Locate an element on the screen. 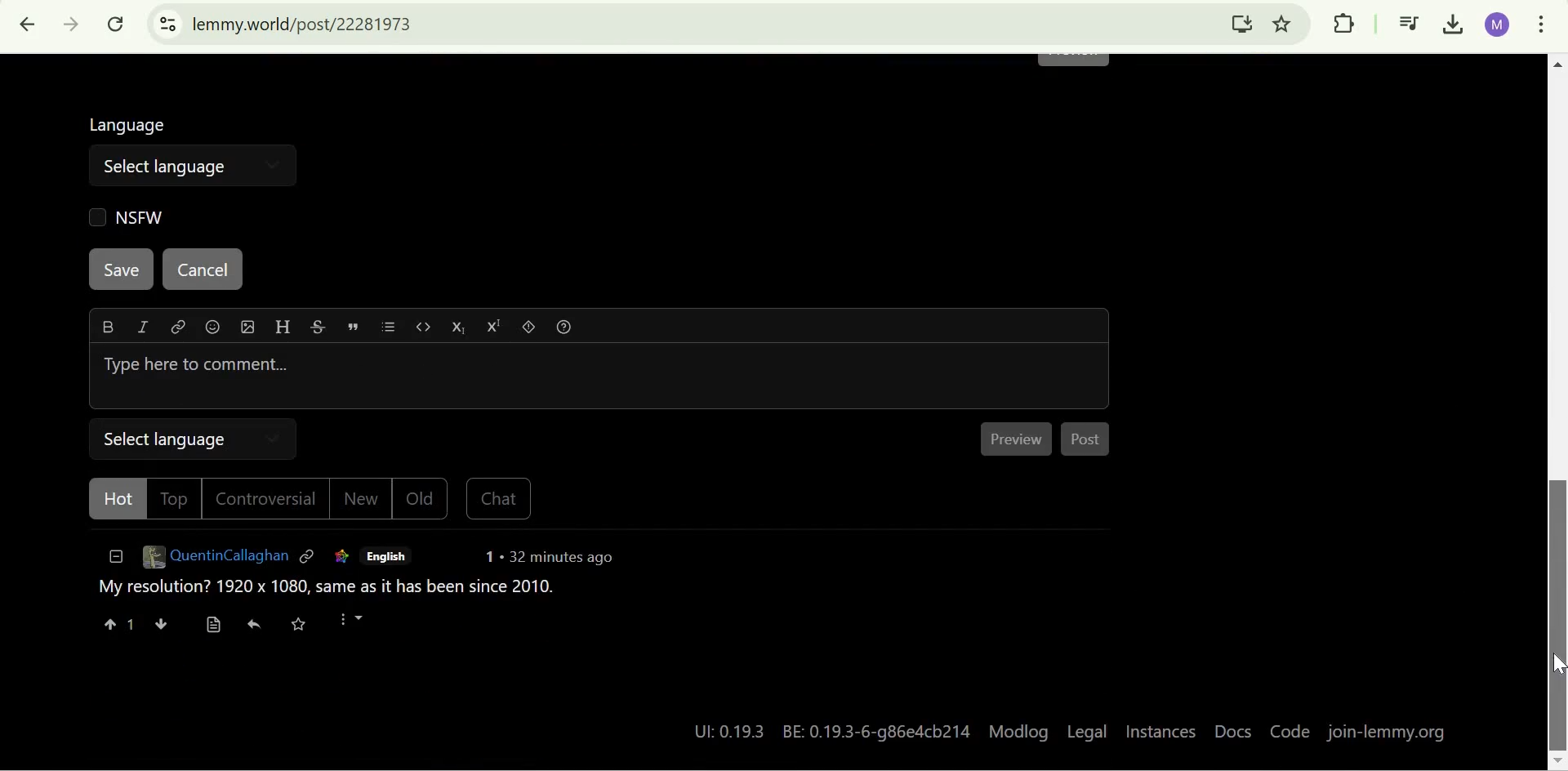 Image resolution: width=1568 pixels, height=771 pixels. Google account is located at coordinates (1498, 25).